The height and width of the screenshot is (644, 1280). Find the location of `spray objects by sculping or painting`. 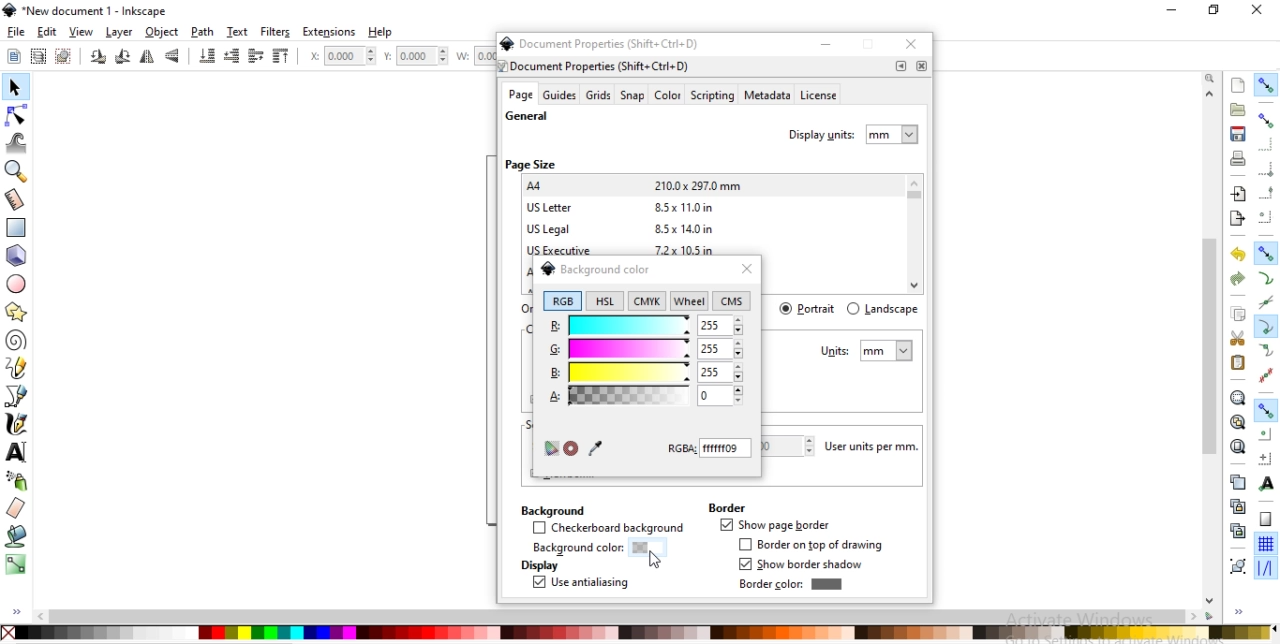

spray objects by sculping or painting is located at coordinates (21, 480).